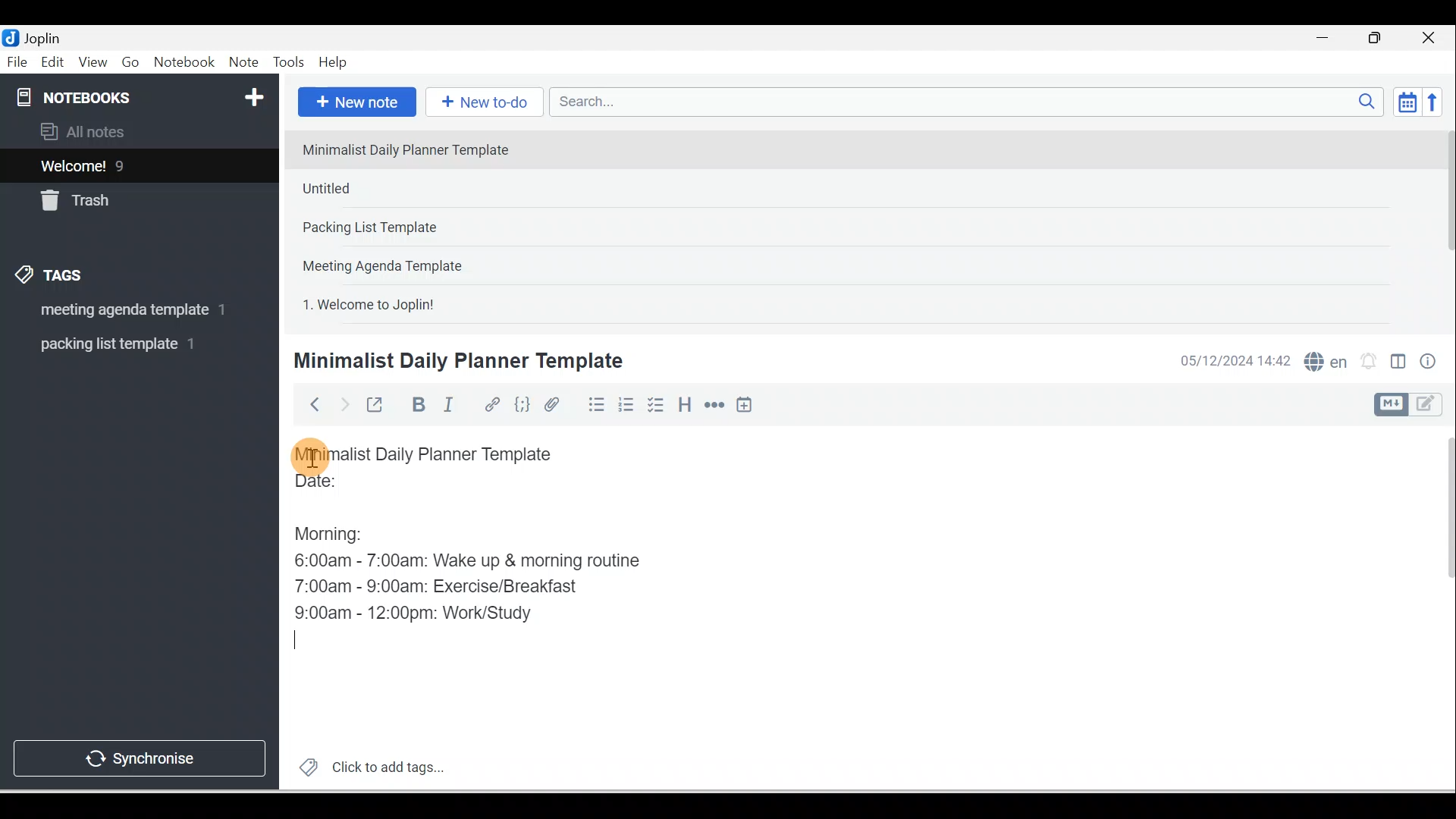 This screenshot has width=1456, height=819. What do you see at coordinates (1437, 102) in the screenshot?
I see `Reverse sort` at bounding box center [1437, 102].